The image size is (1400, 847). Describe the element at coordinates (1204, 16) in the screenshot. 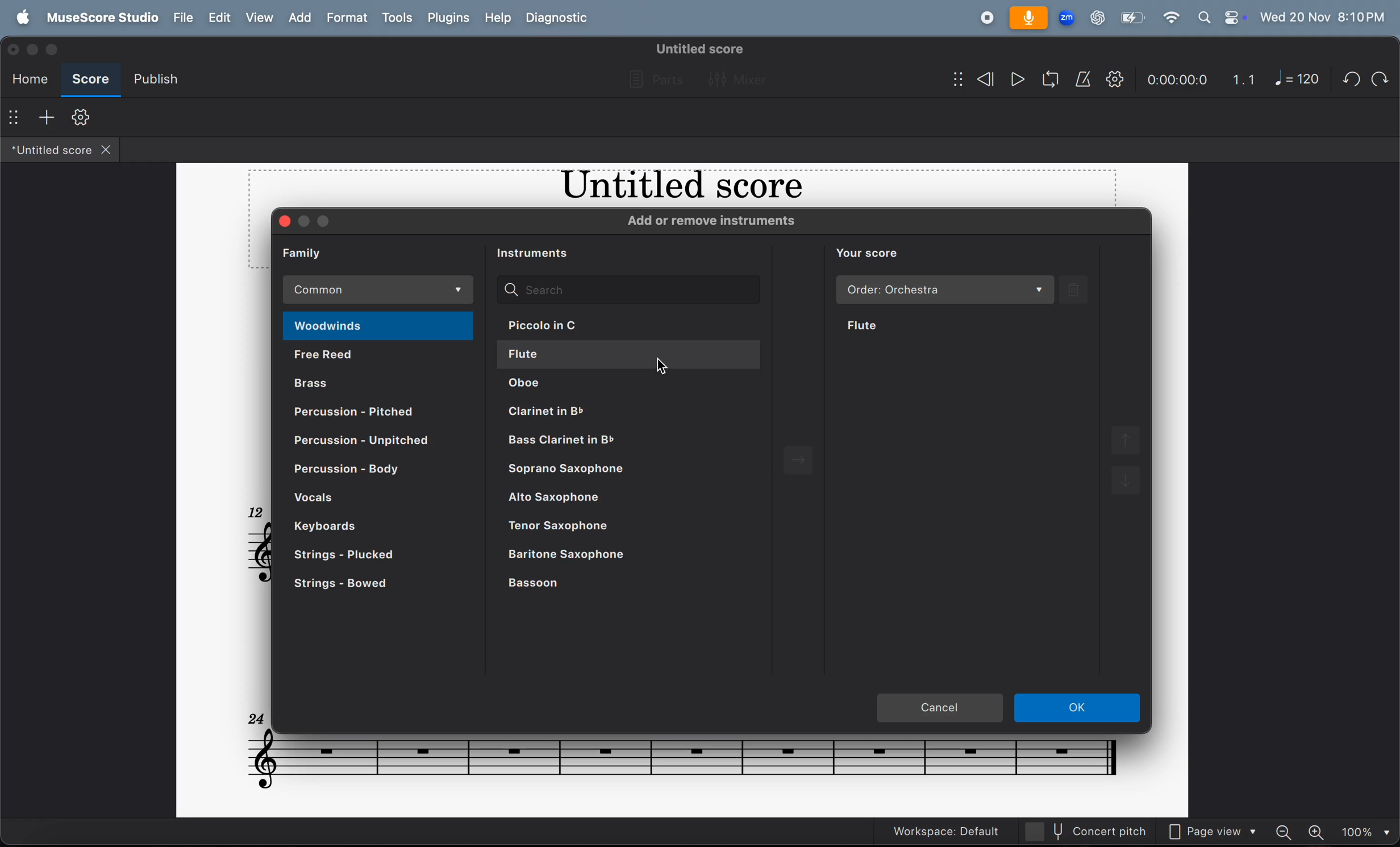

I see `search` at that location.